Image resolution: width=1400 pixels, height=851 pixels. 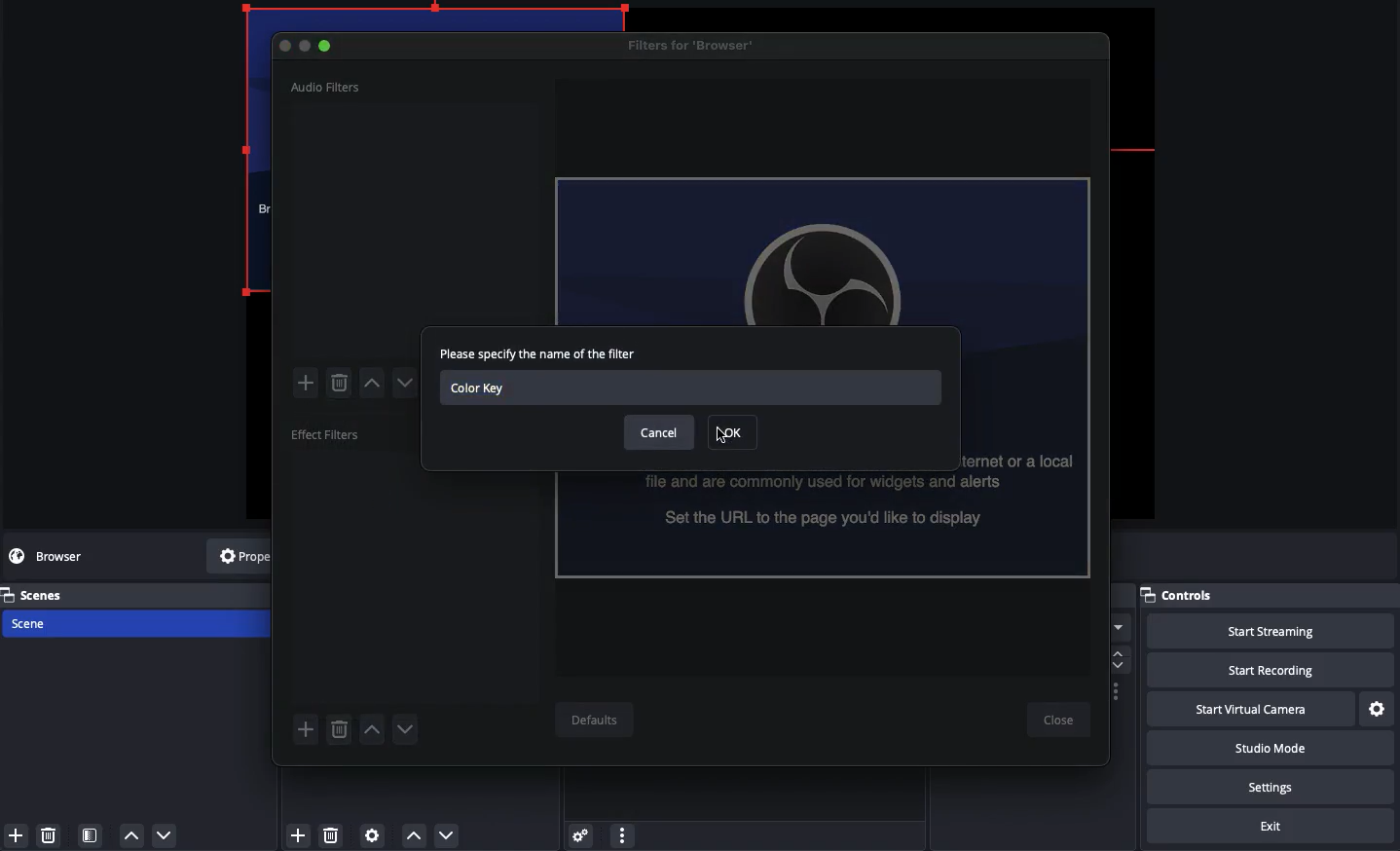 What do you see at coordinates (583, 836) in the screenshot?
I see `Advanced audio properties` at bounding box center [583, 836].